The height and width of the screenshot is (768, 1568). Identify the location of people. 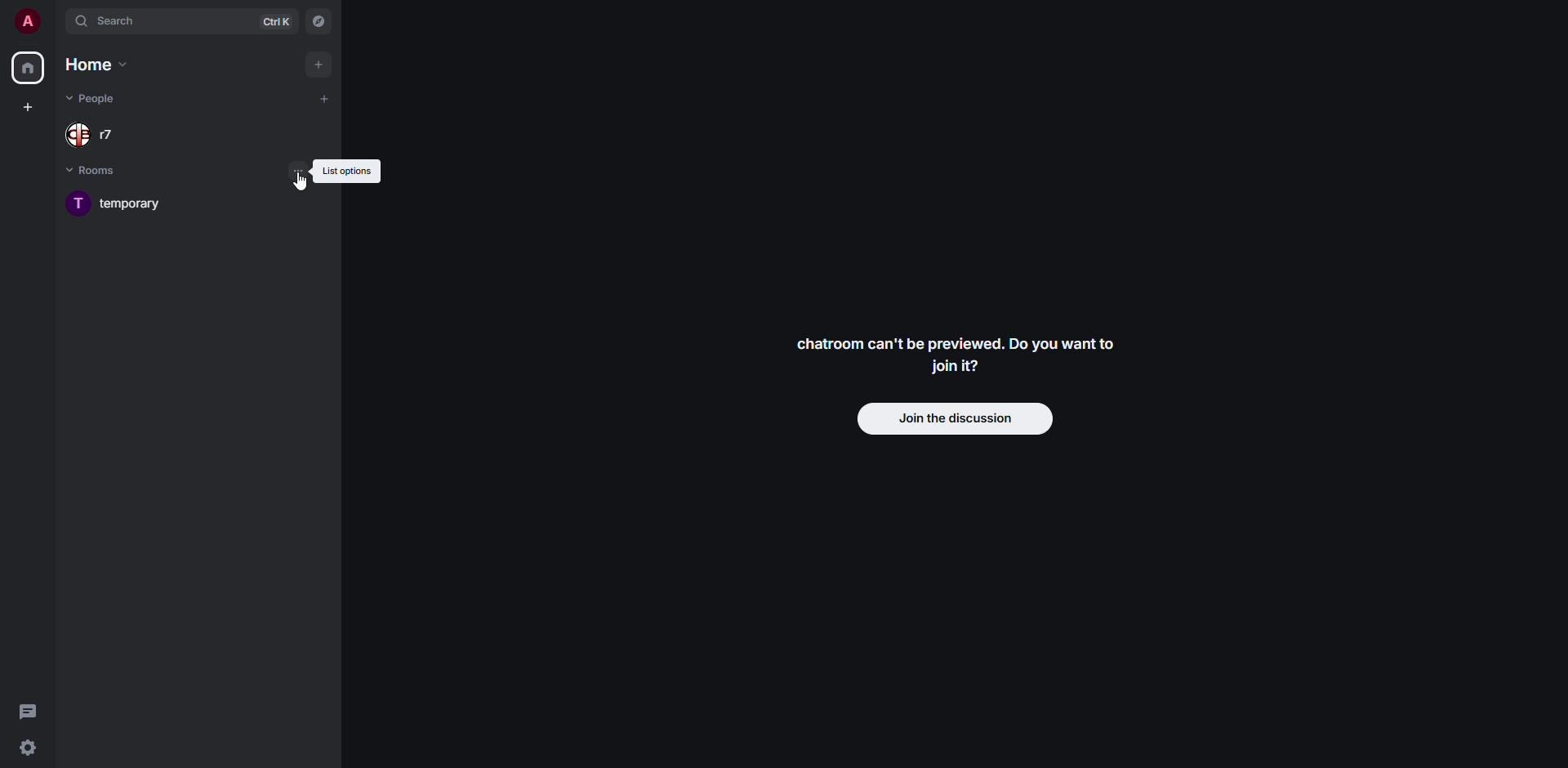
(88, 136).